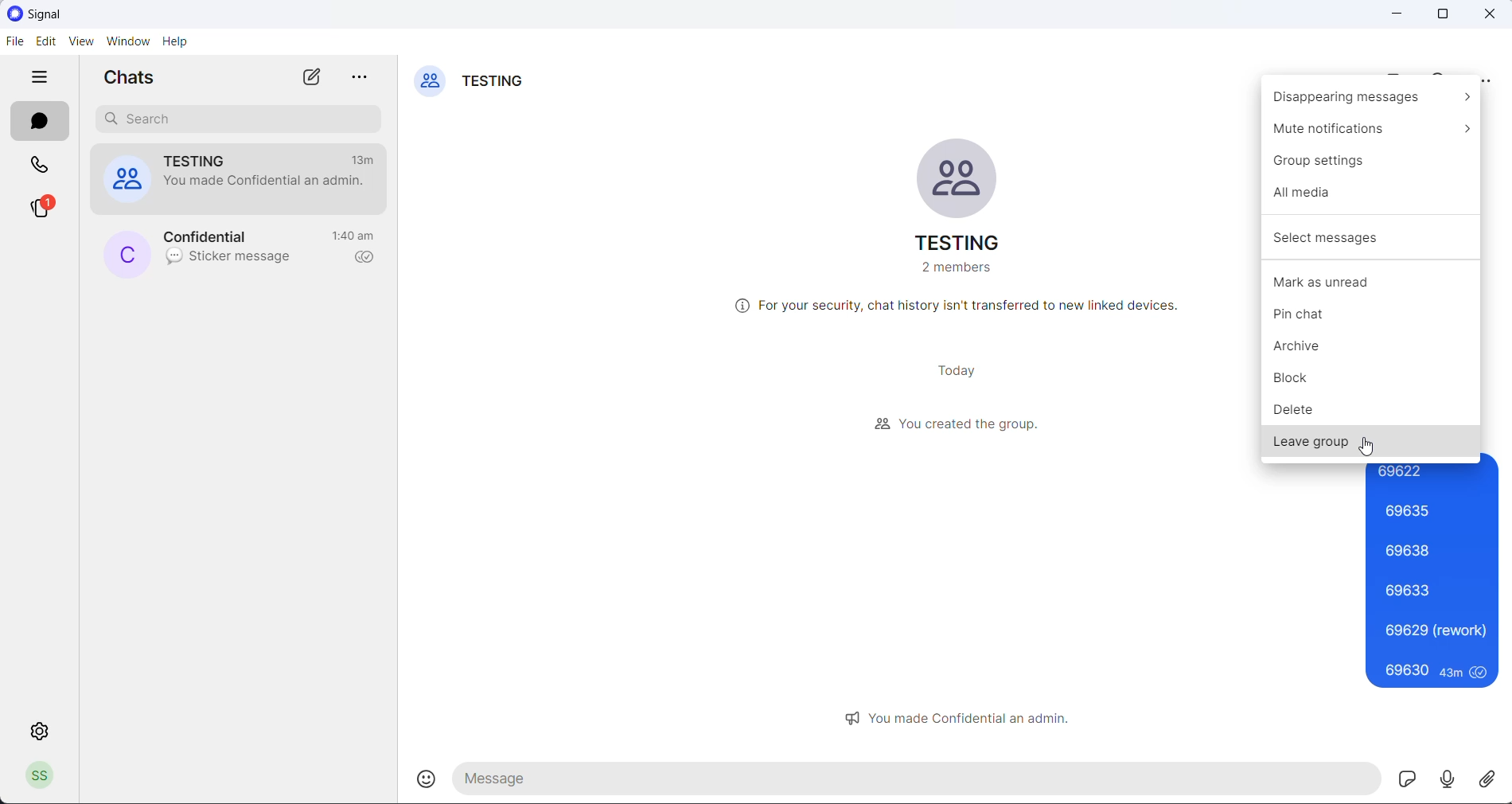 The width and height of the screenshot is (1512, 804). Describe the element at coordinates (134, 80) in the screenshot. I see `chats heading` at that location.